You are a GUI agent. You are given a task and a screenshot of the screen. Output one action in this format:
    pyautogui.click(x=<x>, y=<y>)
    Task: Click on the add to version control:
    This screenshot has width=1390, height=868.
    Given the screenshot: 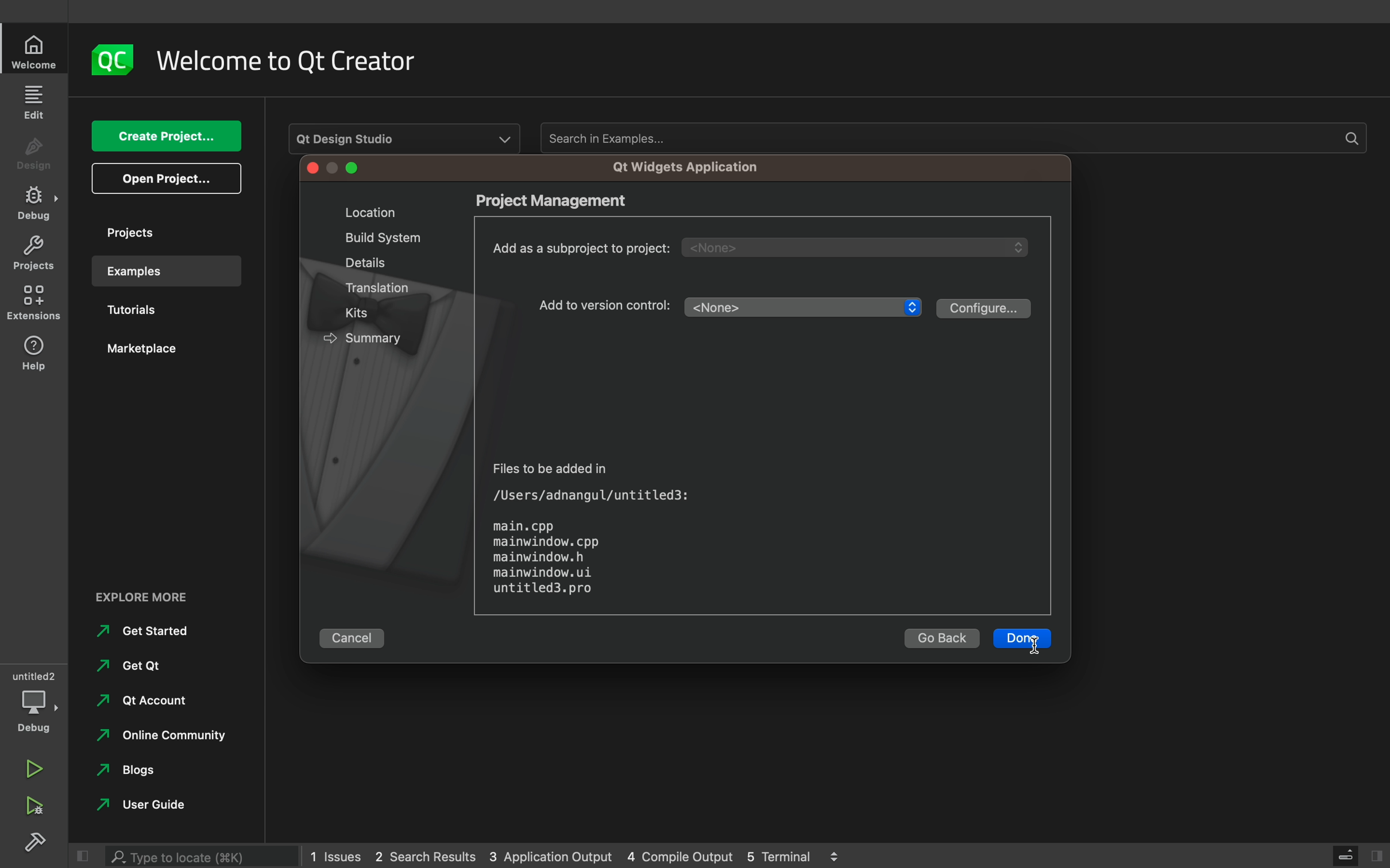 What is the action you would take?
    pyautogui.click(x=607, y=304)
    